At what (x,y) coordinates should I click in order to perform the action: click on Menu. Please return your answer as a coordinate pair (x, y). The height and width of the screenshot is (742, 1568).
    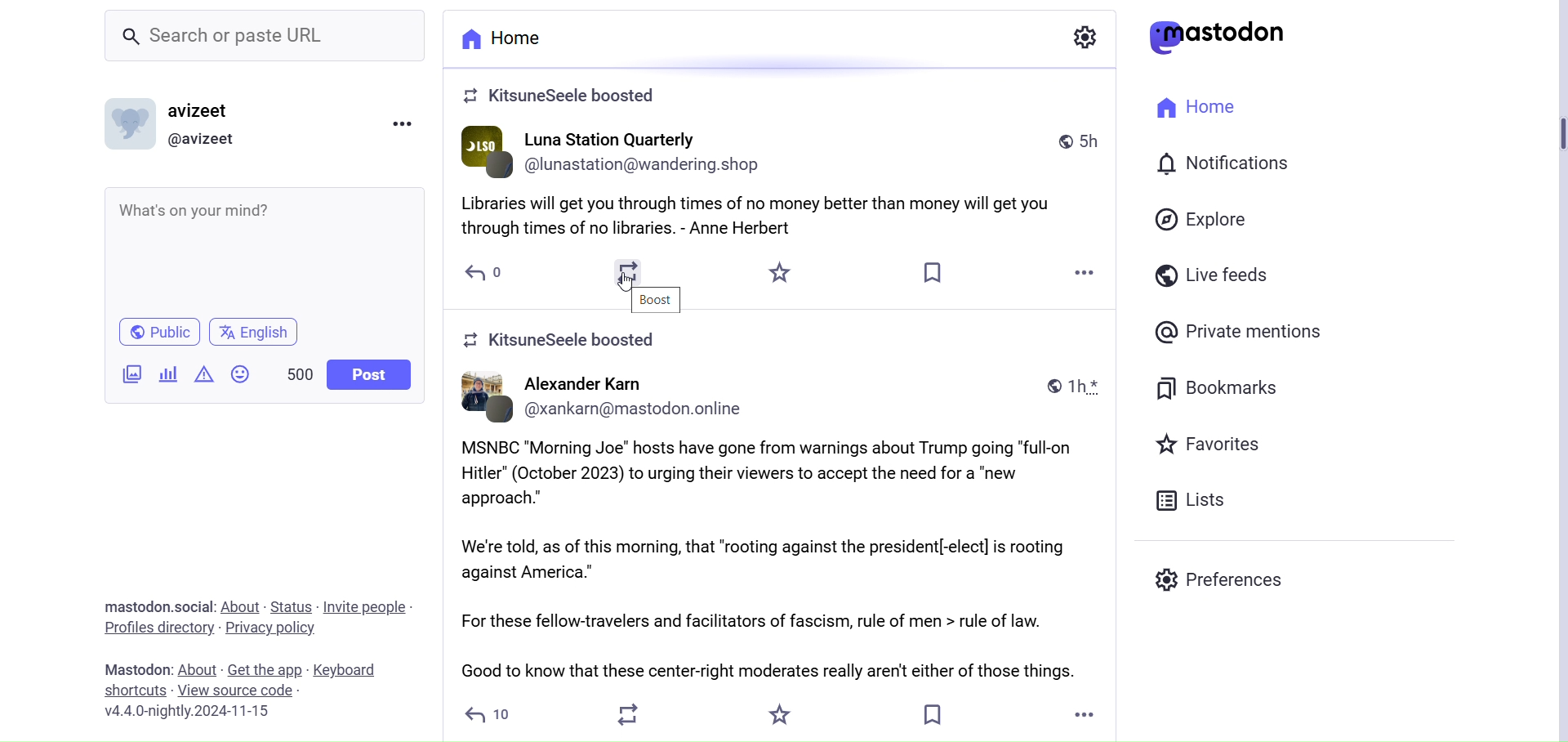
    Looking at the image, I should click on (401, 123).